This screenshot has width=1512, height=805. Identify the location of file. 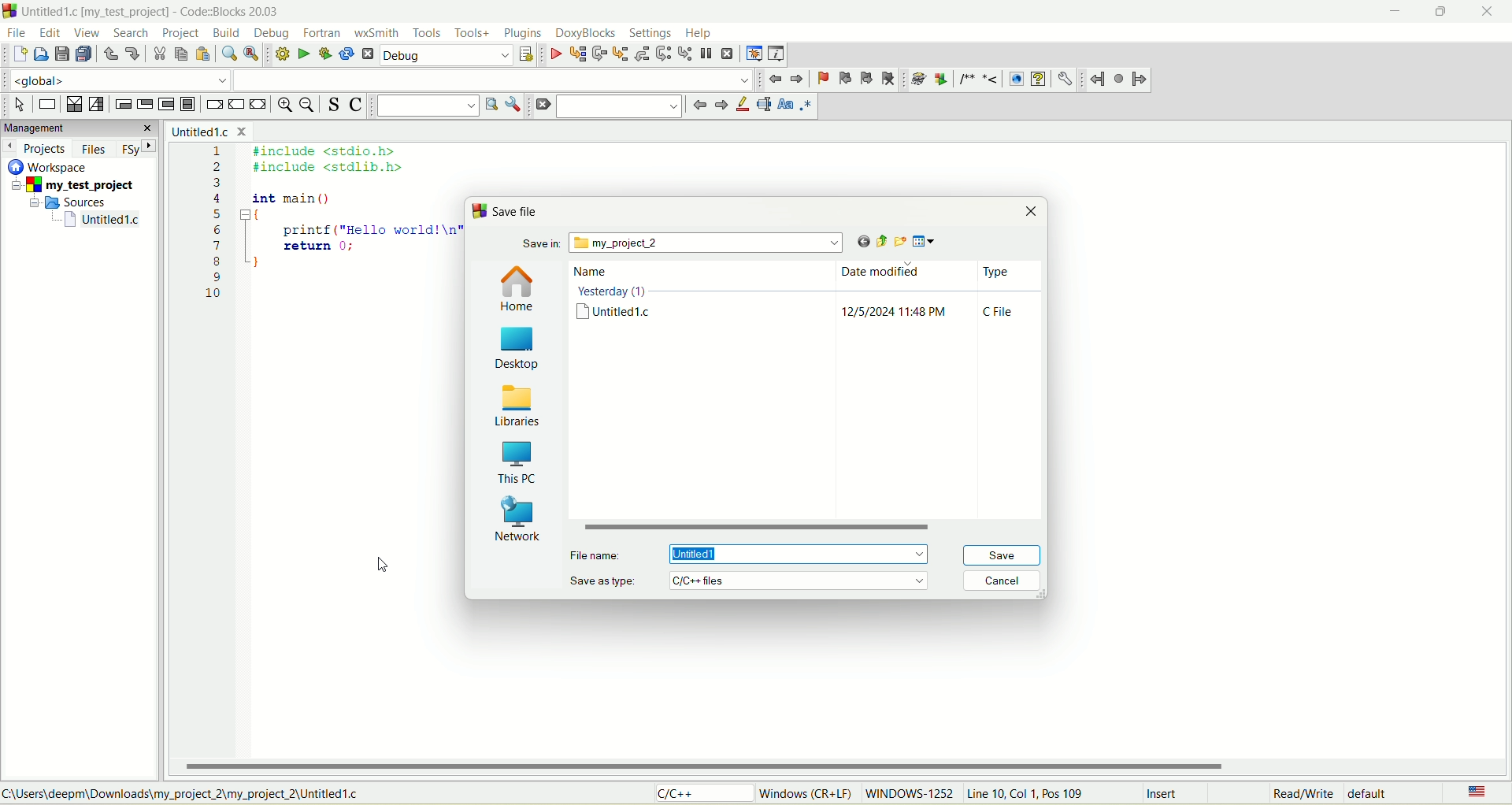
(15, 32).